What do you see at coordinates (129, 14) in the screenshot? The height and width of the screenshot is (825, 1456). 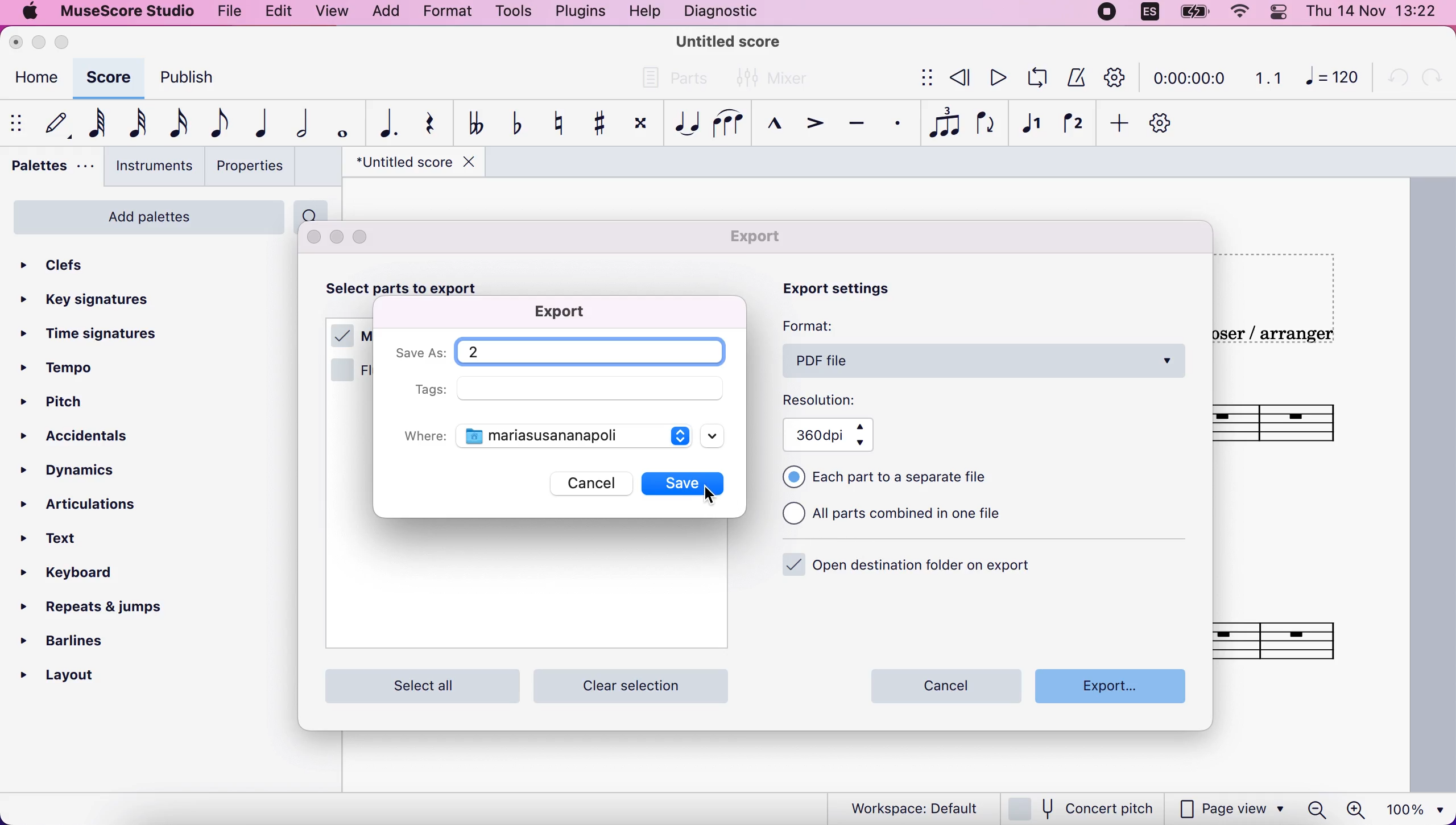 I see `musescore studio` at bounding box center [129, 14].